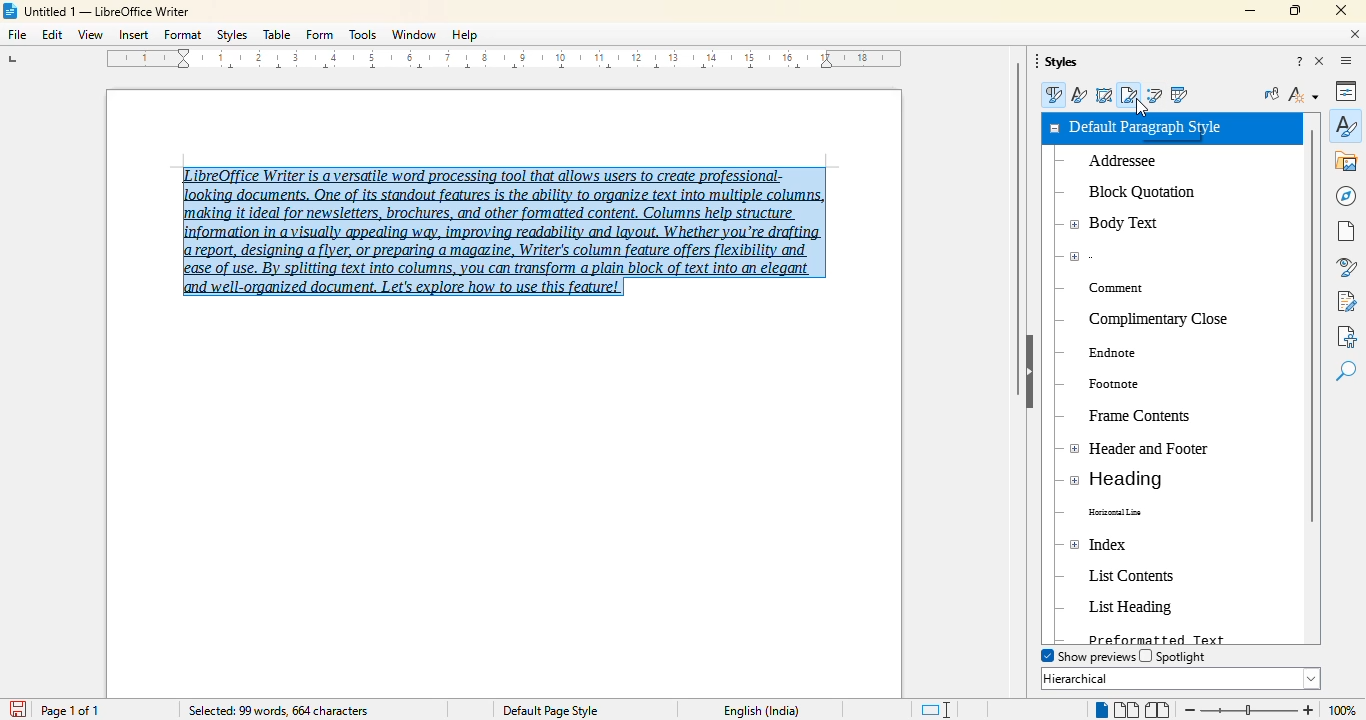 The height and width of the screenshot is (720, 1366). Describe the element at coordinates (1130, 94) in the screenshot. I see `page styles` at that location.